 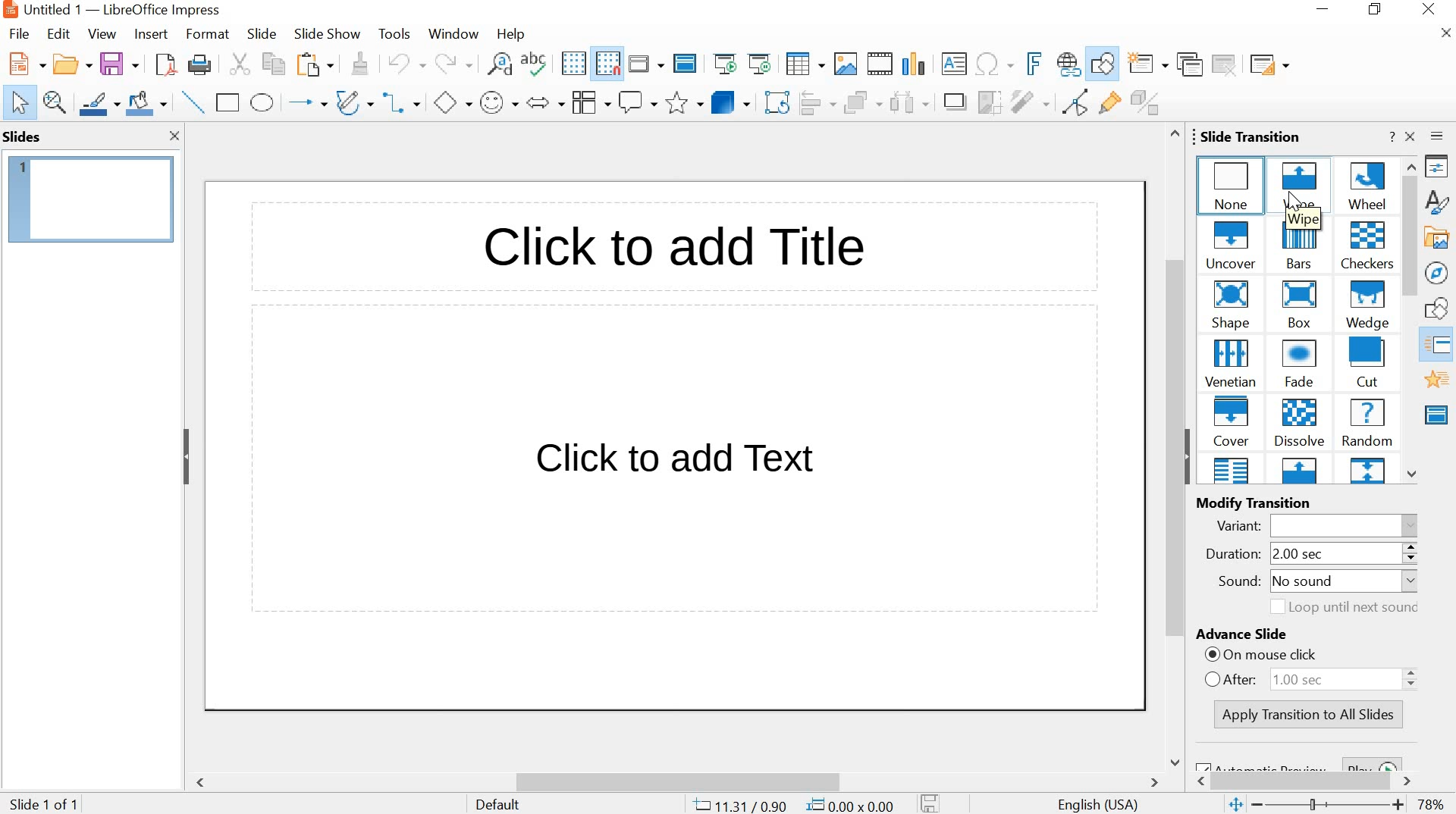 What do you see at coordinates (932, 803) in the screenshot?
I see `SAVE DOC` at bounding box center [932, 803].